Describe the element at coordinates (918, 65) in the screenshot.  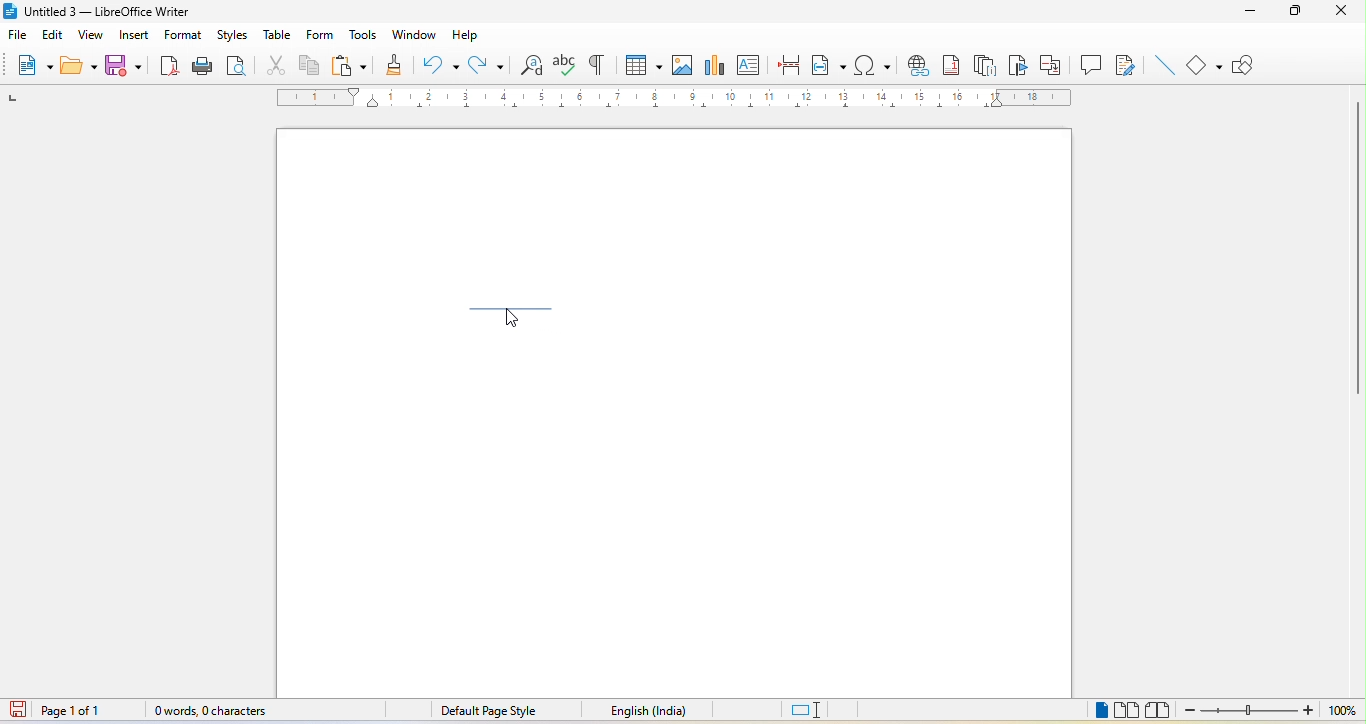
I see `hyperlink` at that location.